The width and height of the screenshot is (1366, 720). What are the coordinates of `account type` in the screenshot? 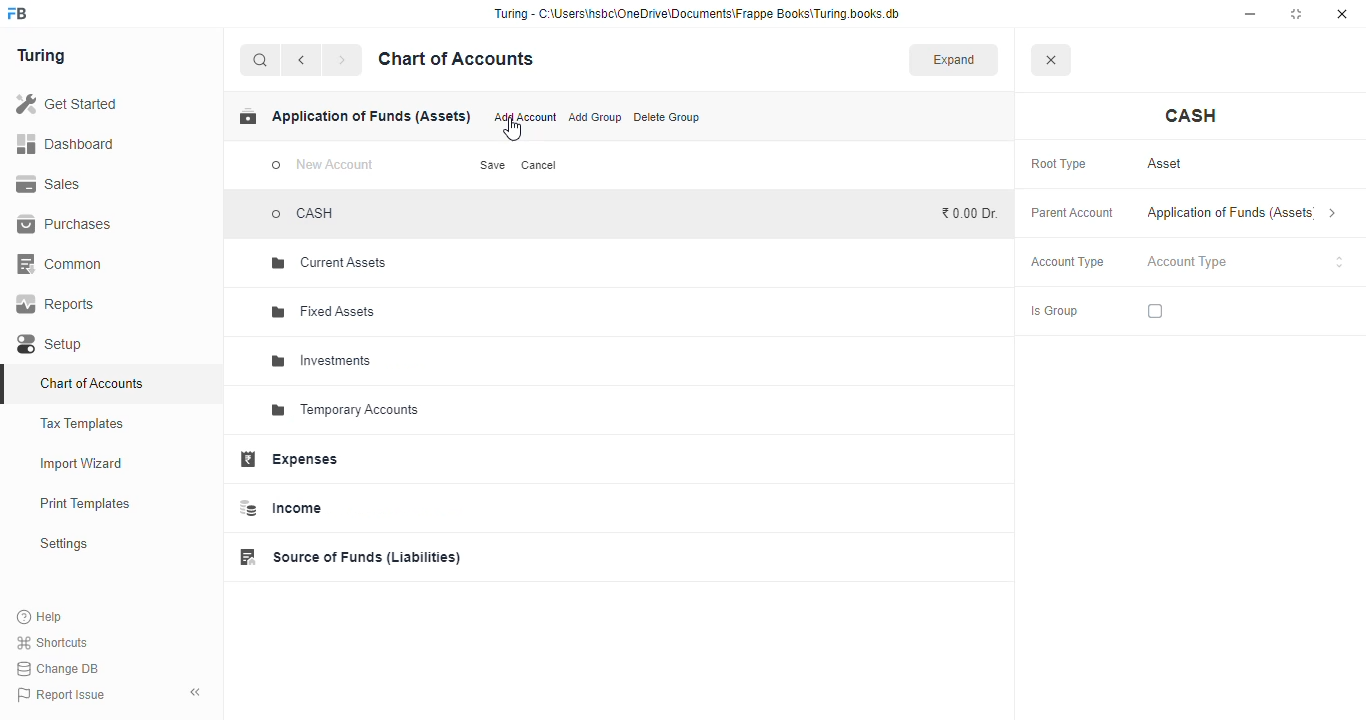 It's located at (1246, 262).